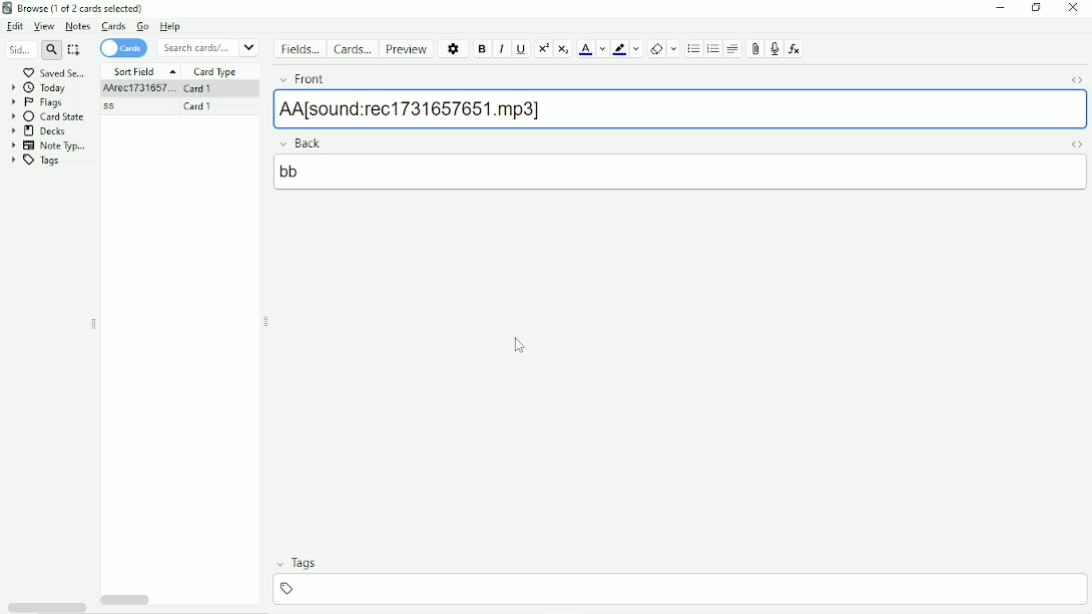 The width and height of the screenshot is (1092, 614). Describe the element at coordinates (306, 143) in the screenshot. I see `Back` at that location.